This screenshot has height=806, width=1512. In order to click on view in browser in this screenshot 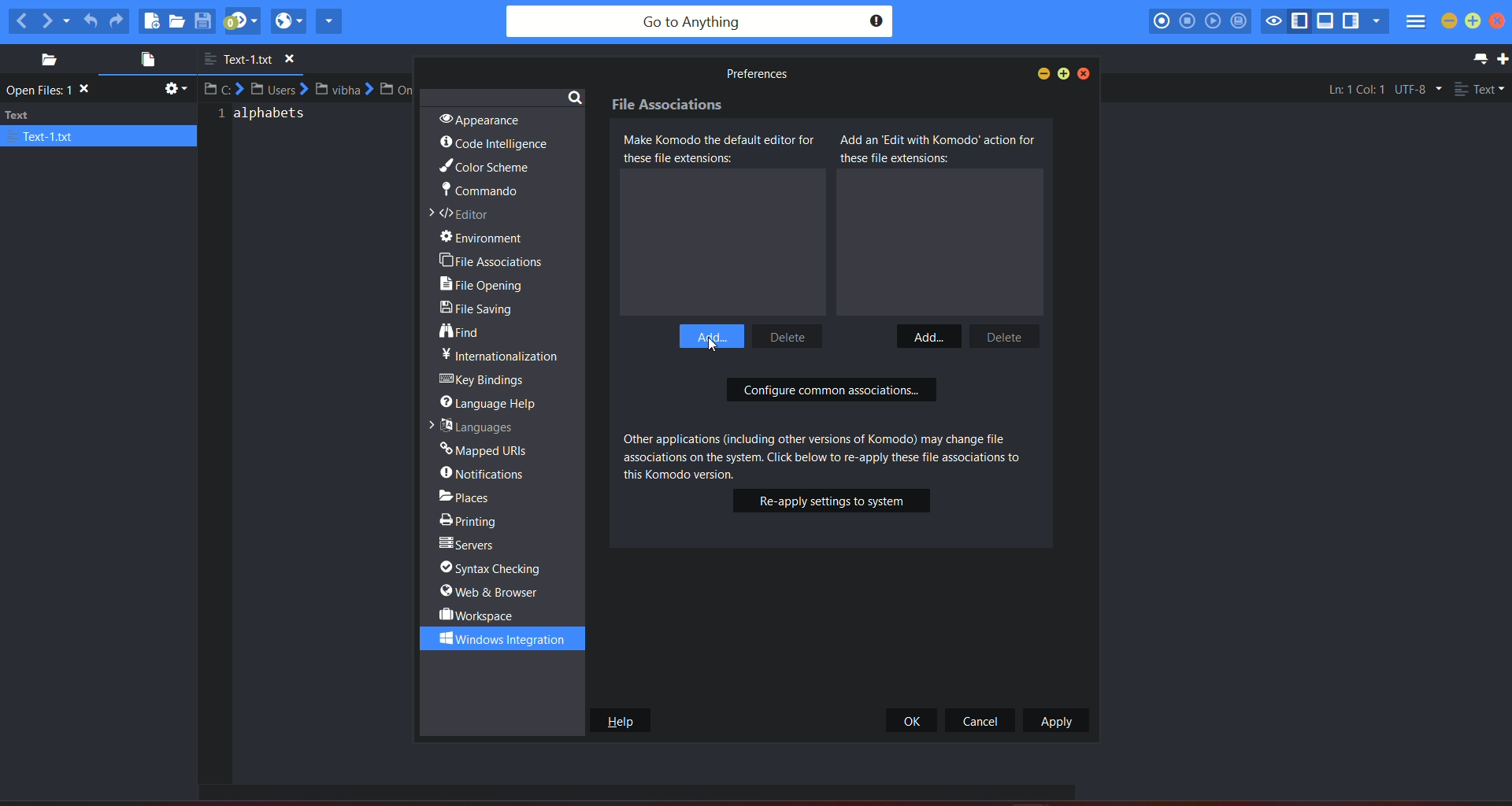, I will do `click(288, 20)`.